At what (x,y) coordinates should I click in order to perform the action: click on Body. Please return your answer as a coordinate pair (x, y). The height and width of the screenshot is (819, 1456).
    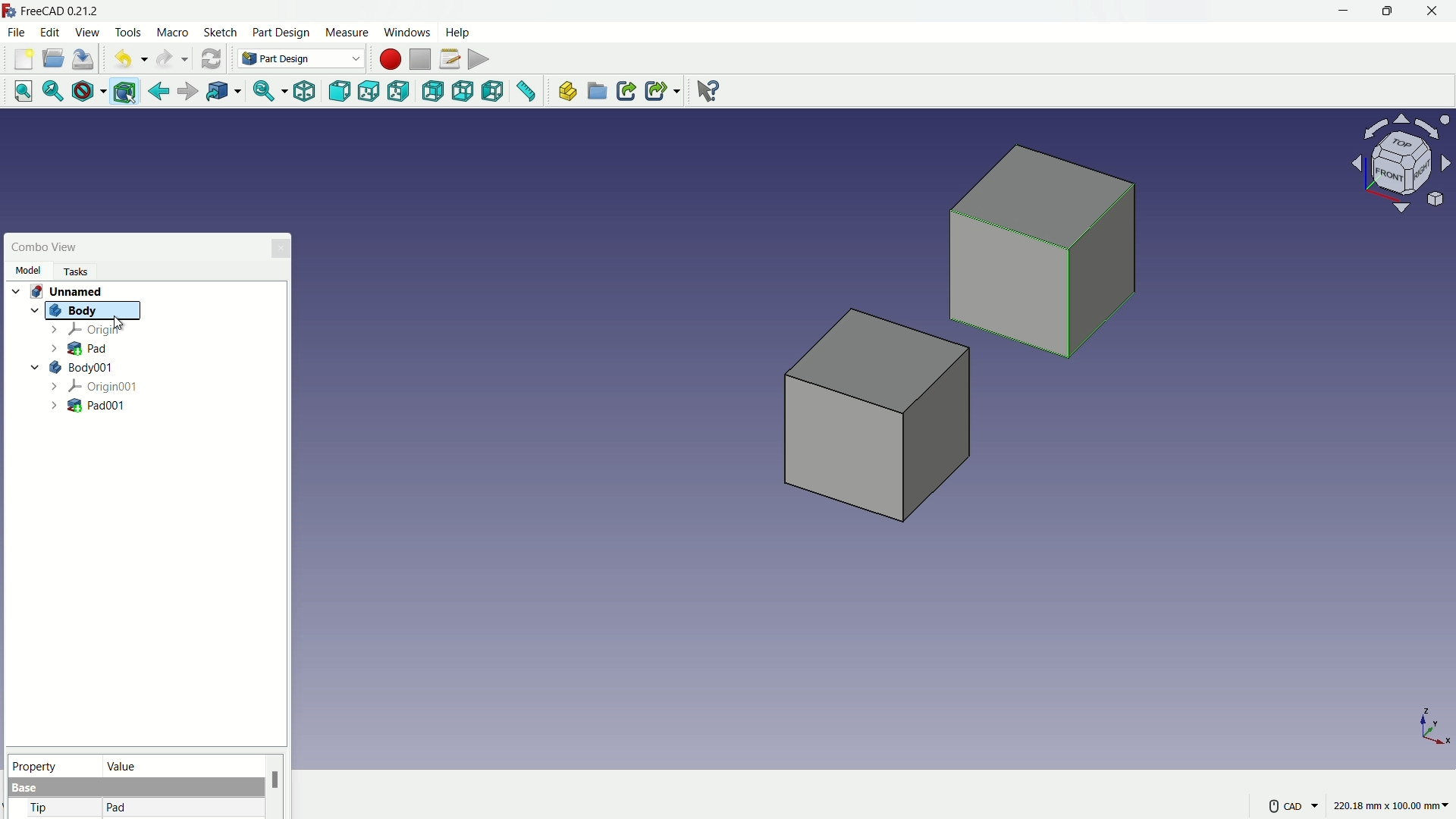
    Looking at the image, I should click on (67, 309).